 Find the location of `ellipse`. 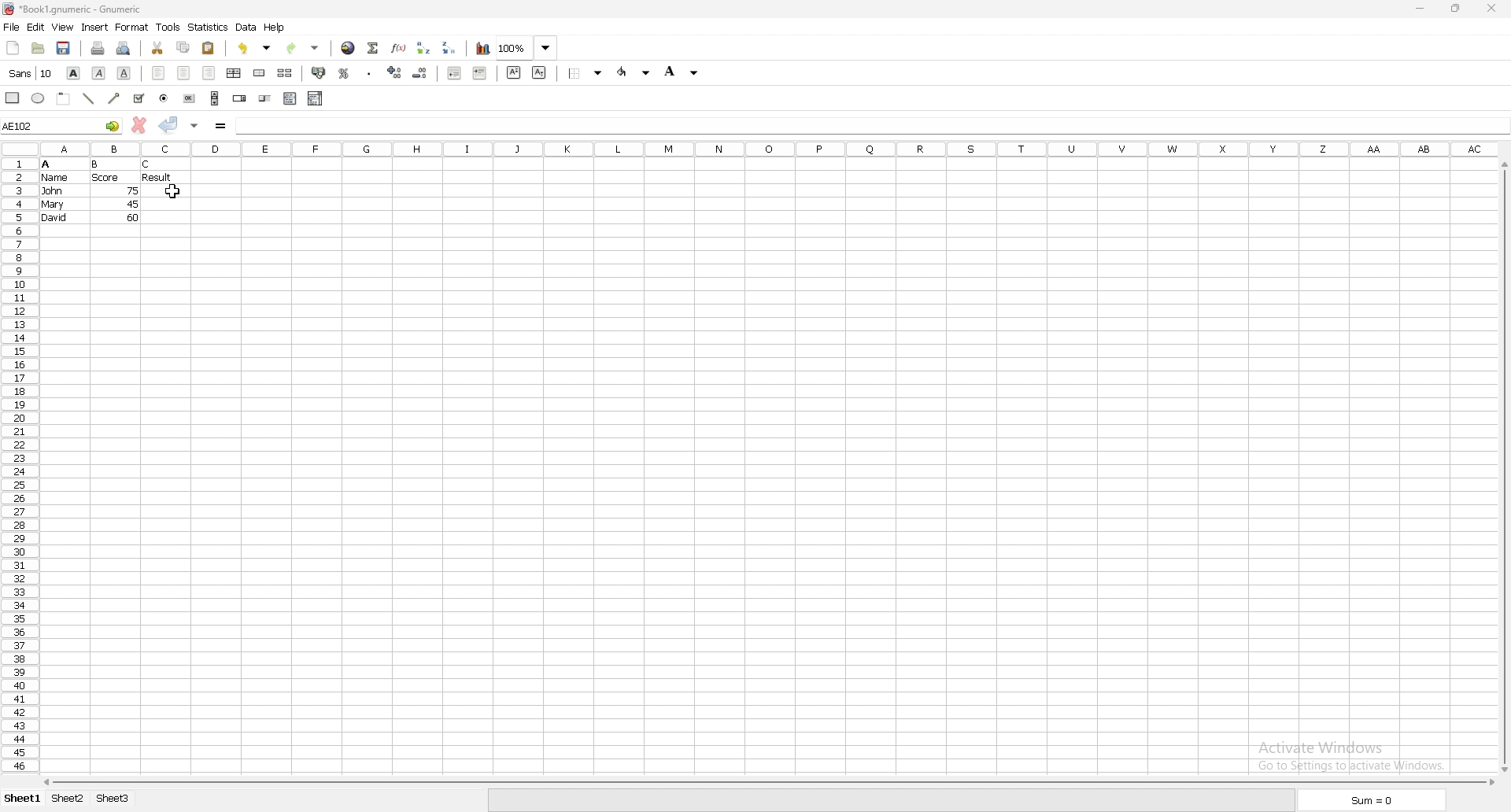

ellipse is located at coordinates (39, 98).